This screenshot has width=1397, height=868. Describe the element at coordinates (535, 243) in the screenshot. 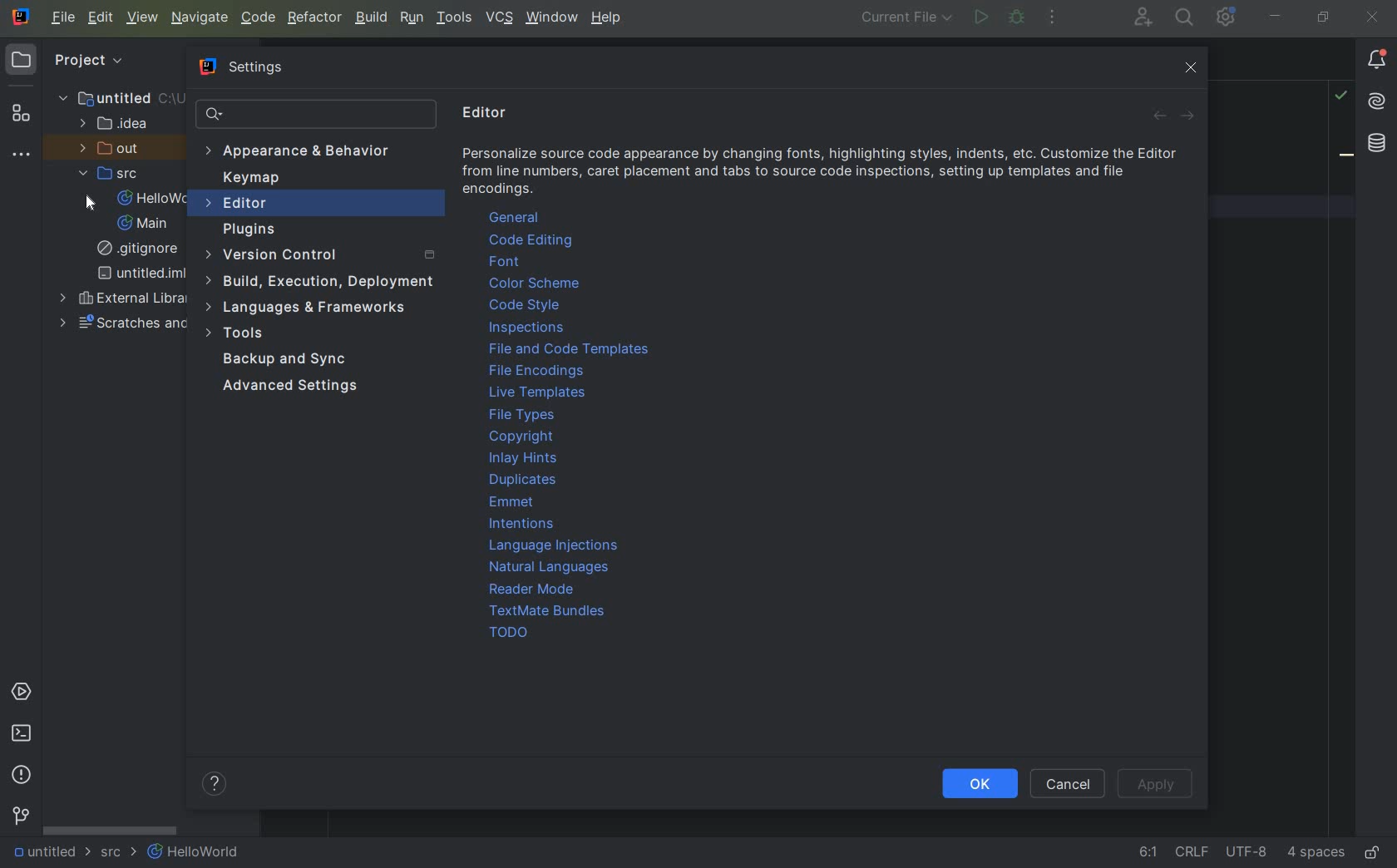

I see `code editing` at that location.